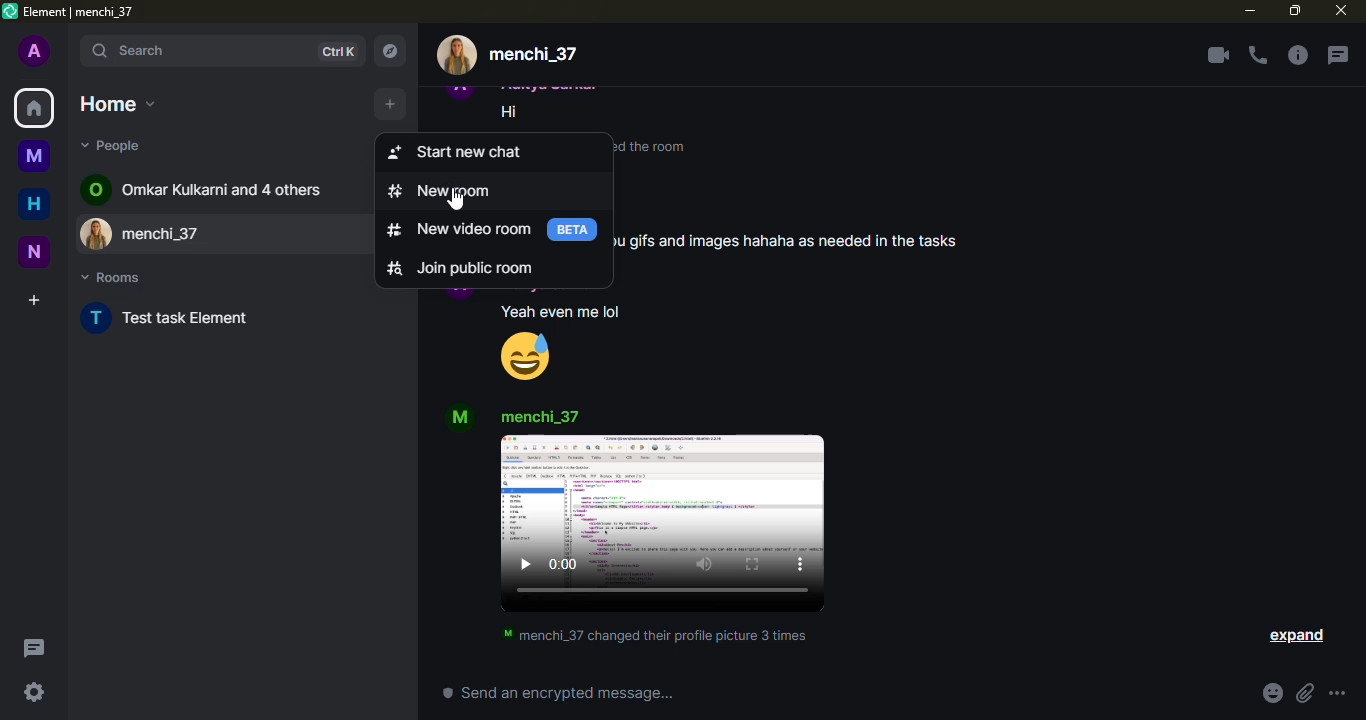 The image size is (1366, 720). What do you see at coordinates (196, 51) in the screenshot?
I see `search` at bounding box center [196, 51].